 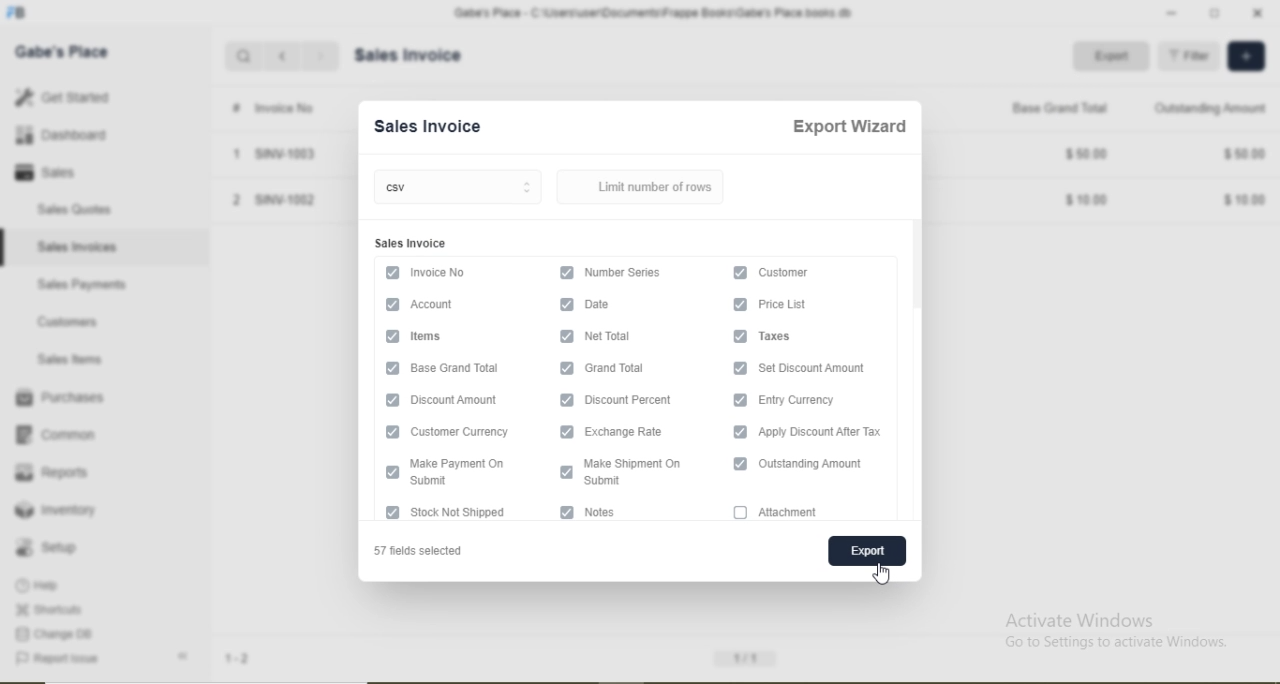 What do you see at coordinates (810, 401) in the screenshot?
I see `Entry Currency` at bounding box center [810, 401].